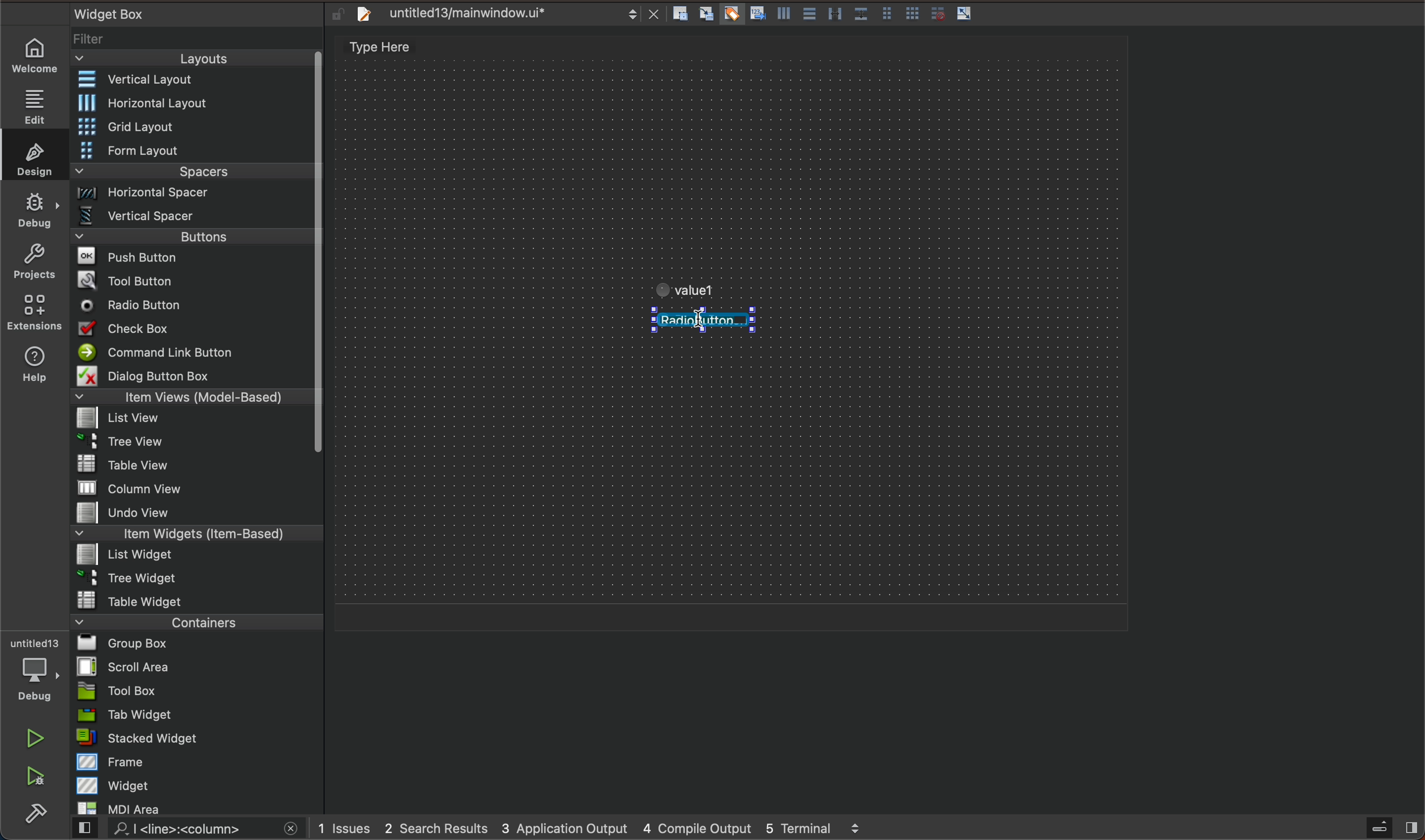 This screenshot has width=1425, height=840. What do you see at coordinates (192, 259) in the screenshot?
I see `push button` at bounding box center [192, 259].